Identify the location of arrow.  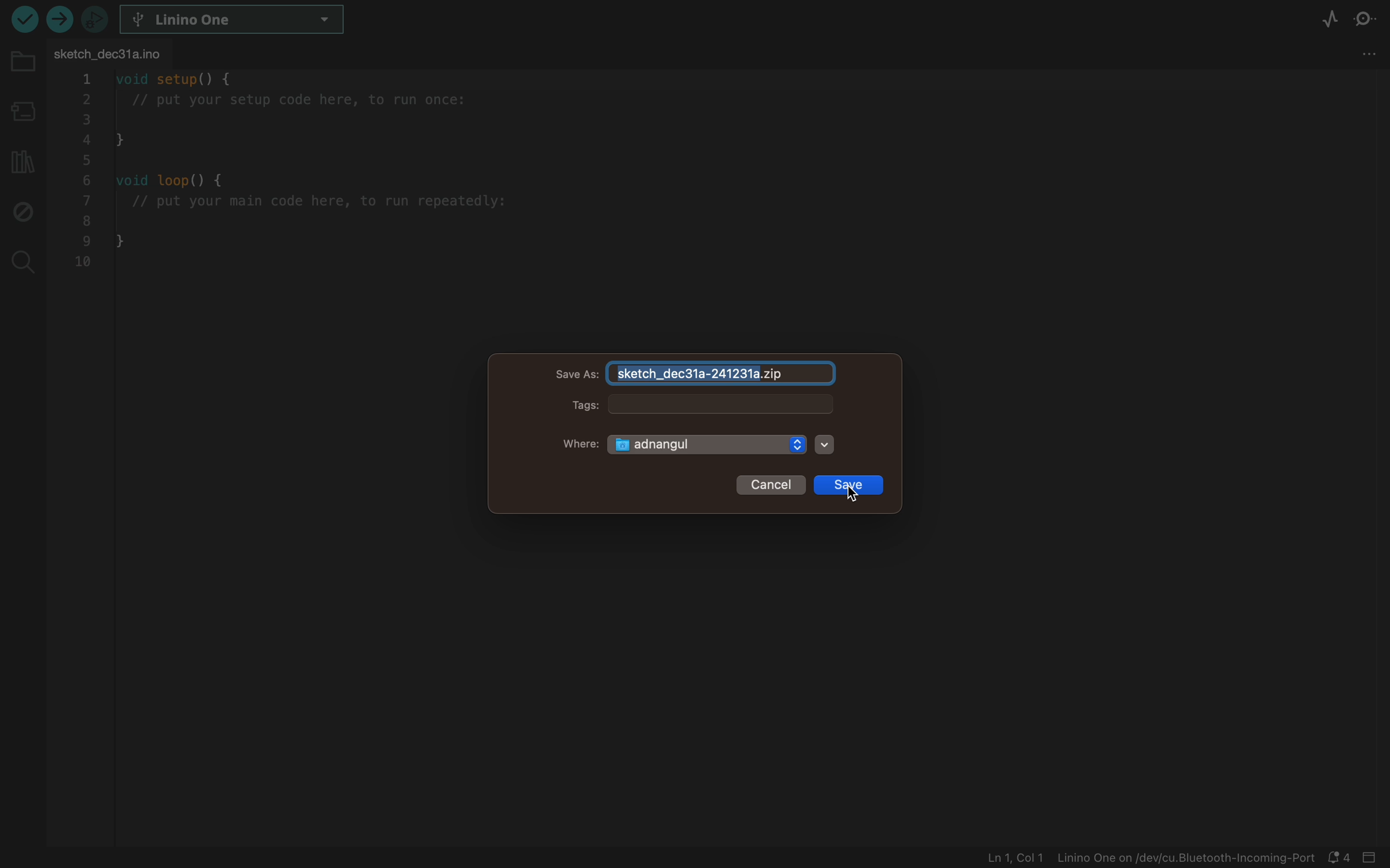
(825, 444).